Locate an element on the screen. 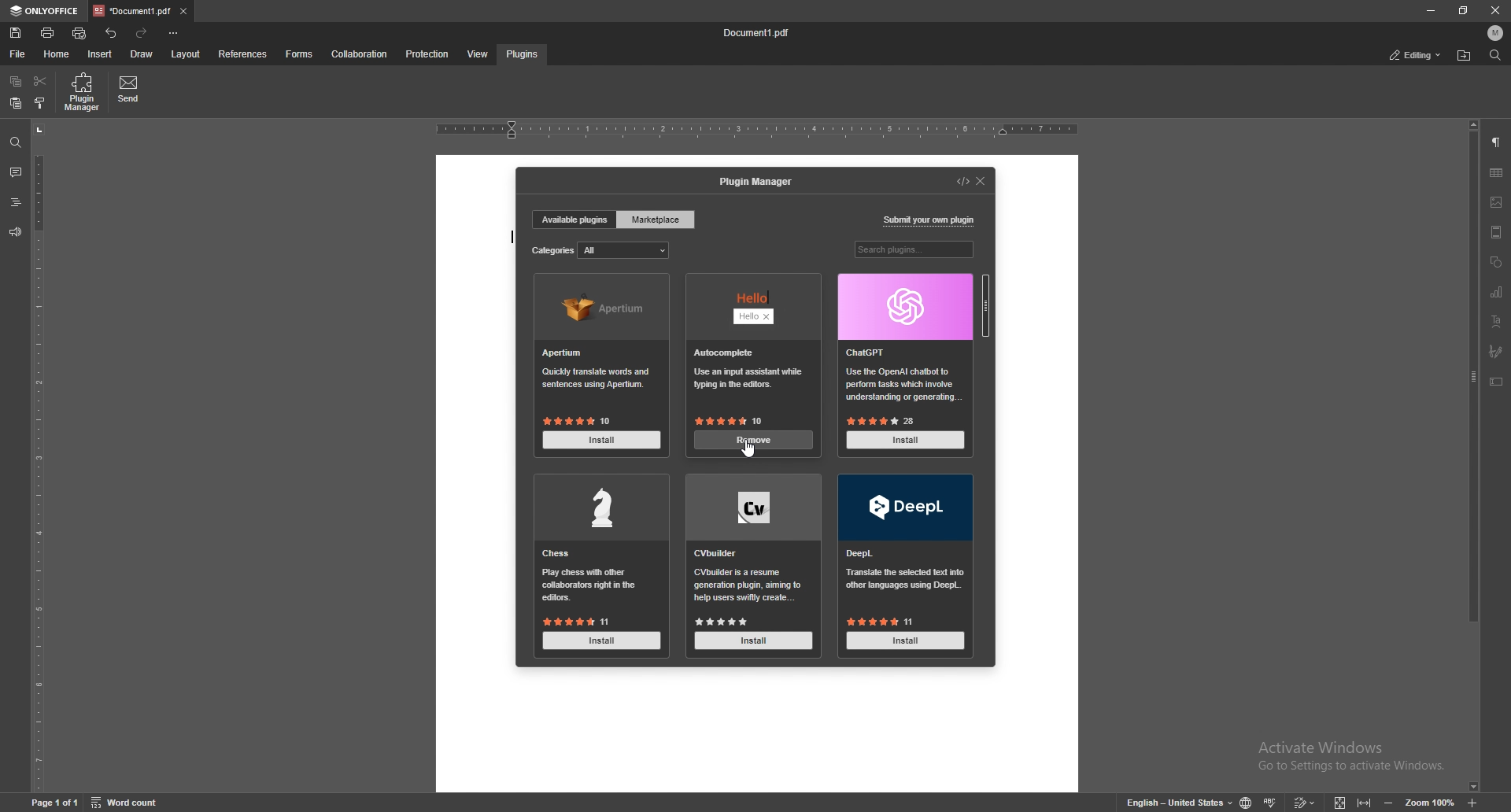  developer mode is located at coordinates (960, 181).